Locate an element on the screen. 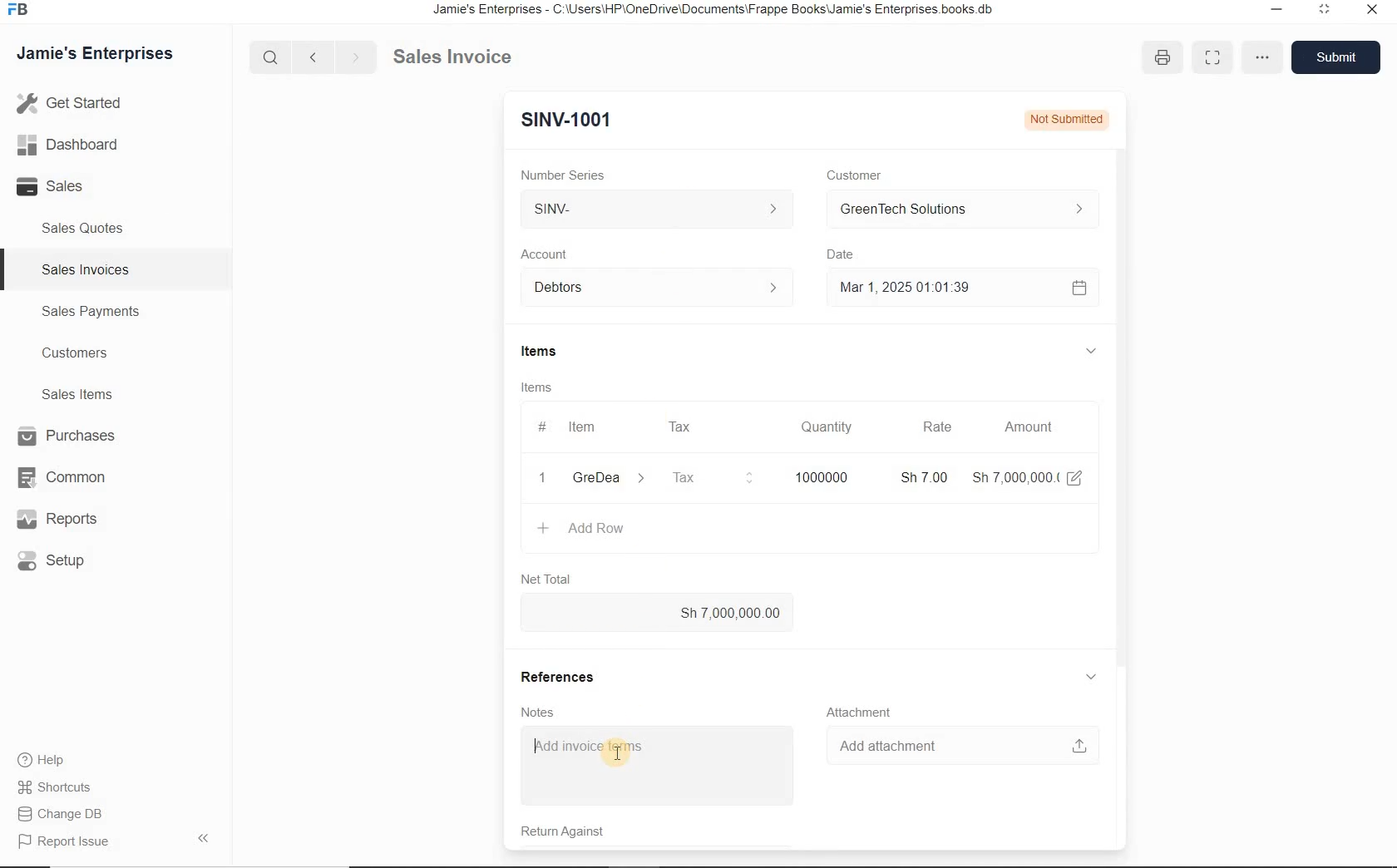 The width and height of the screenshot is (1397, 868). Jamie's Enterprises - C:\Users\HP\OneDrive\Documents\Frappe Books\Jamie's Enterprises books.db is located at coordinates (718, 11).